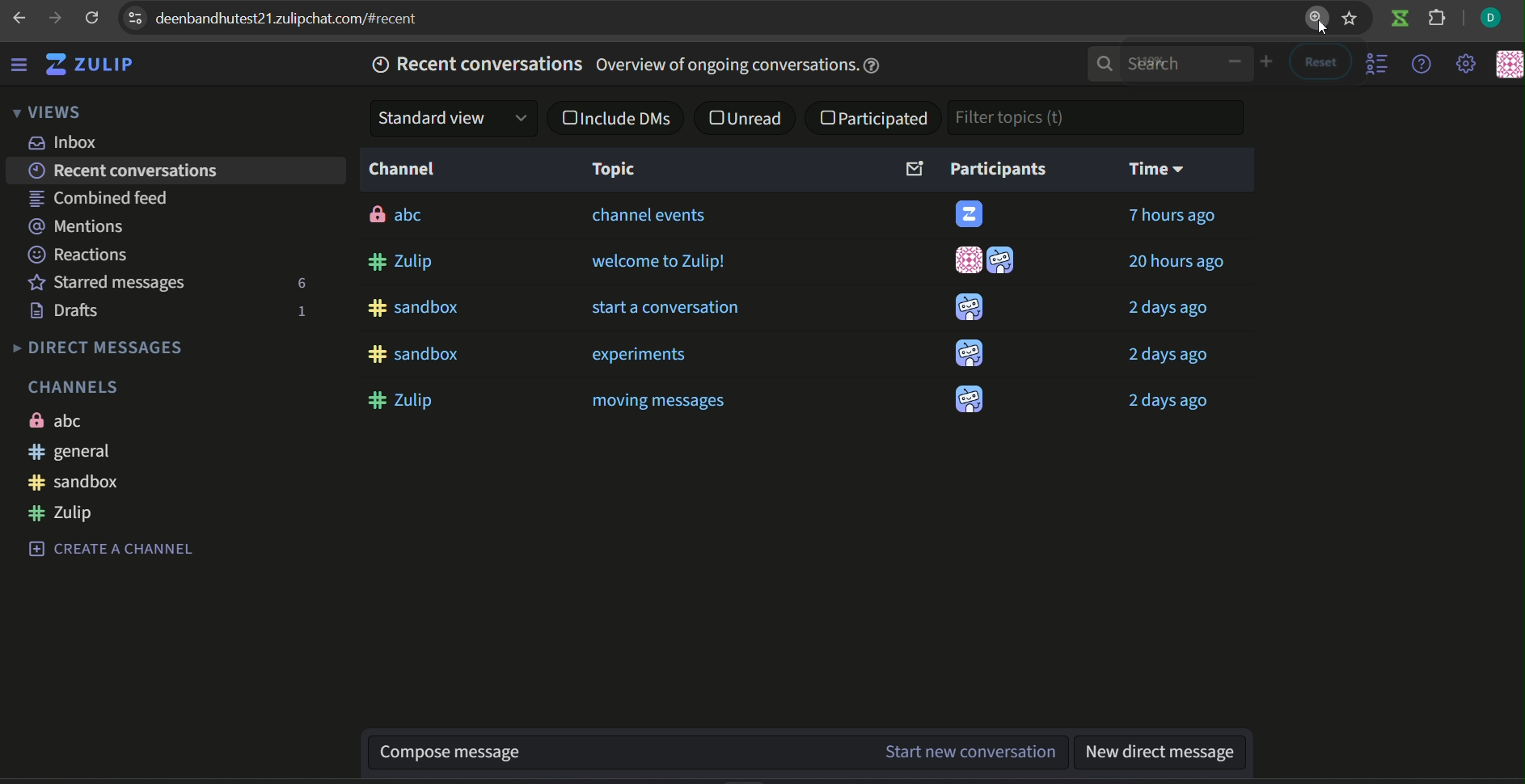  What do you see at coordinates (108, 285) in the screenshot?
I see `starred messages` at bounding box center [108, 285].